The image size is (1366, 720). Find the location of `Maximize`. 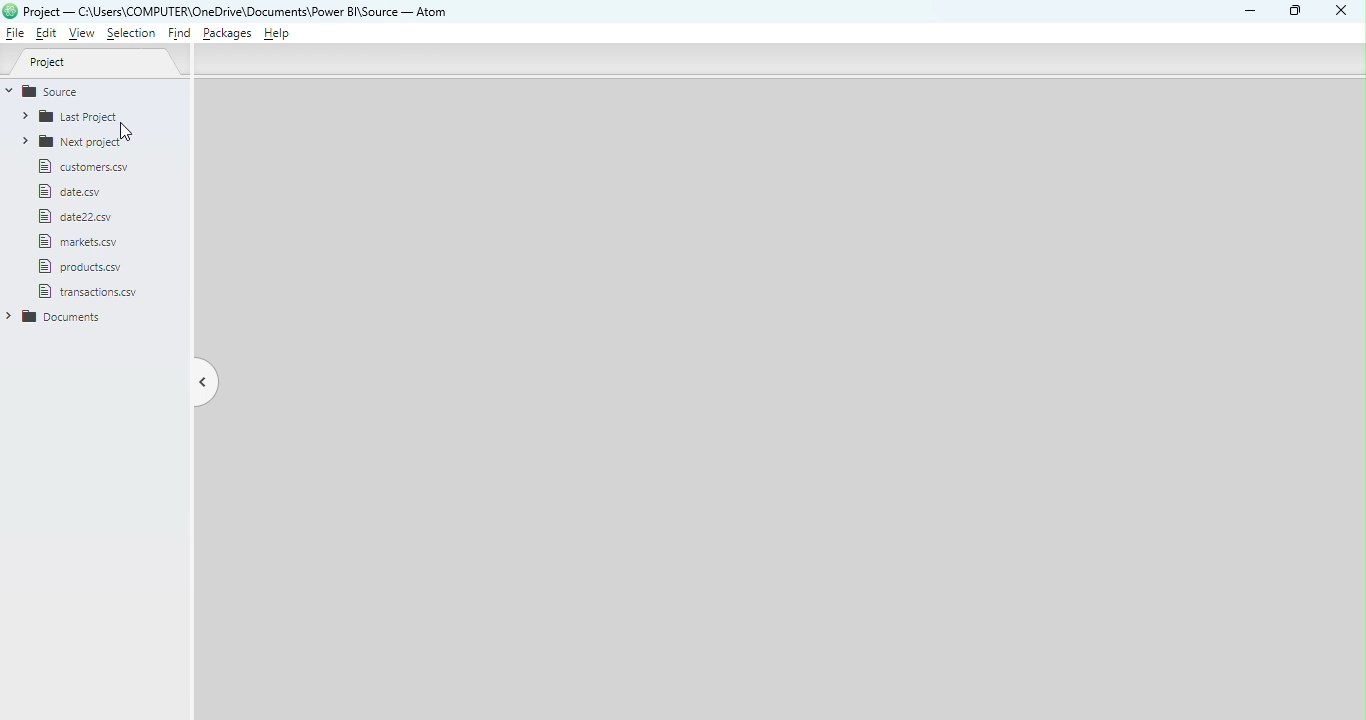

Maximize is located at coordinates (1298, 10).